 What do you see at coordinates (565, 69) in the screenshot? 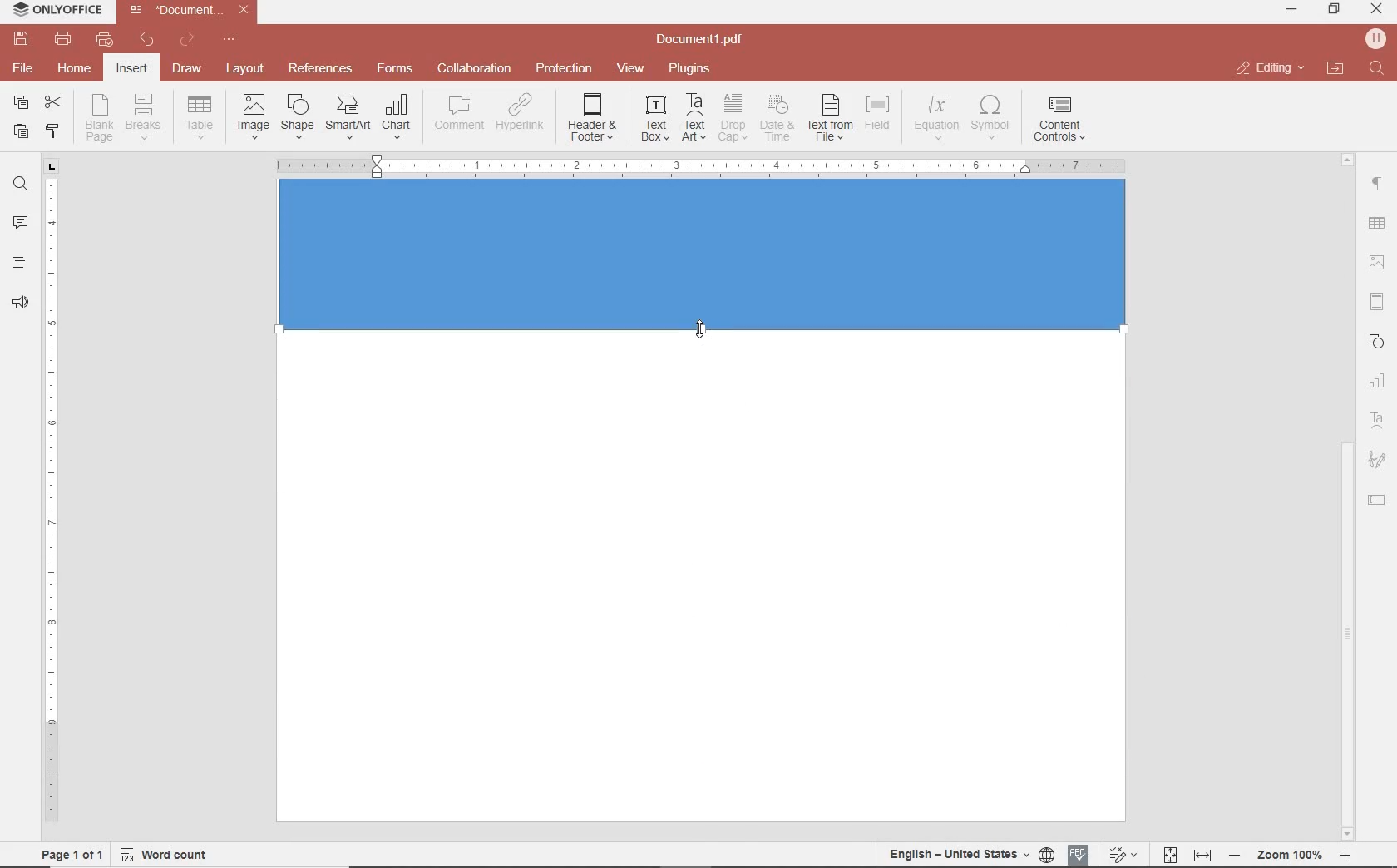
I see `protection` at bounding box center [565, 69].